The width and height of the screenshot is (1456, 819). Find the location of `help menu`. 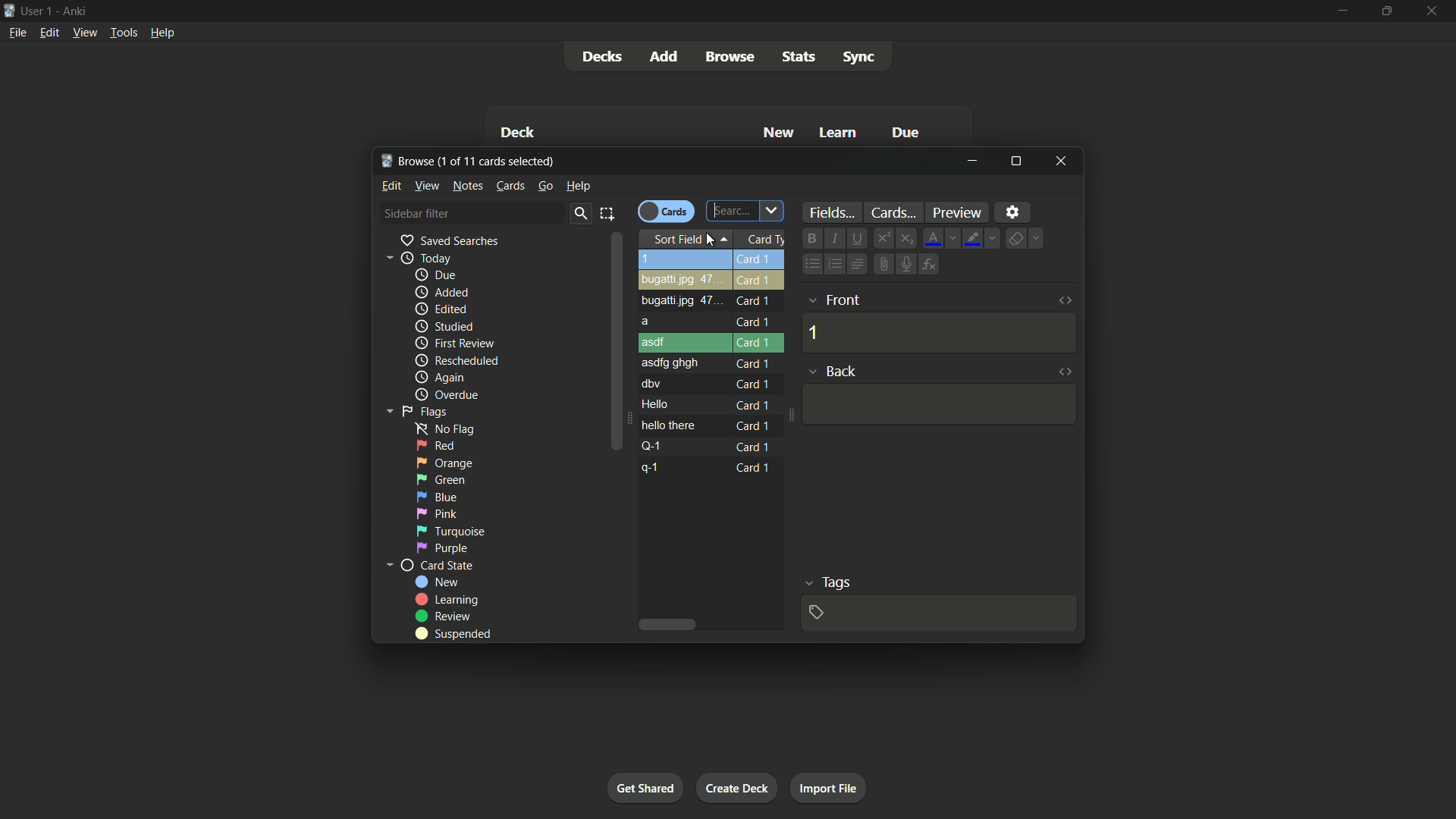

help menu is located at coordinates (162, 33).